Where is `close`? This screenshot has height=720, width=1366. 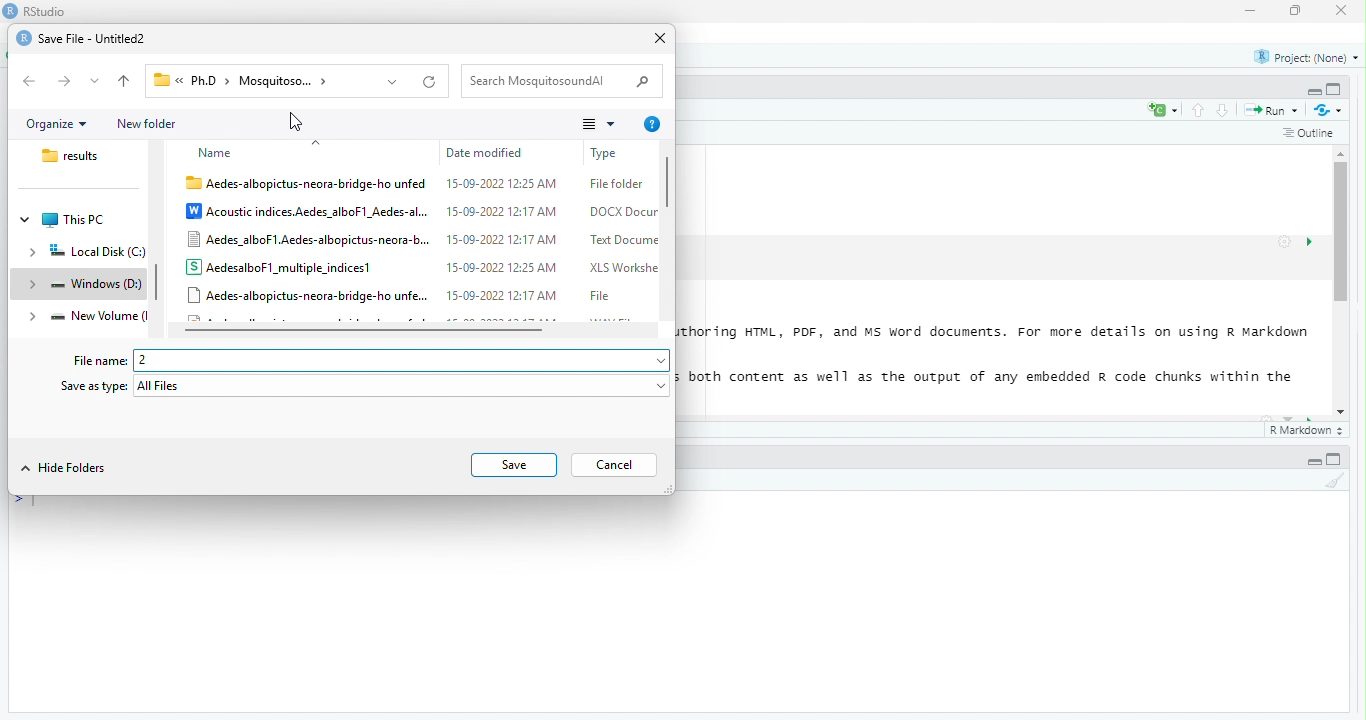
close is located at coordinates (1342, 10).